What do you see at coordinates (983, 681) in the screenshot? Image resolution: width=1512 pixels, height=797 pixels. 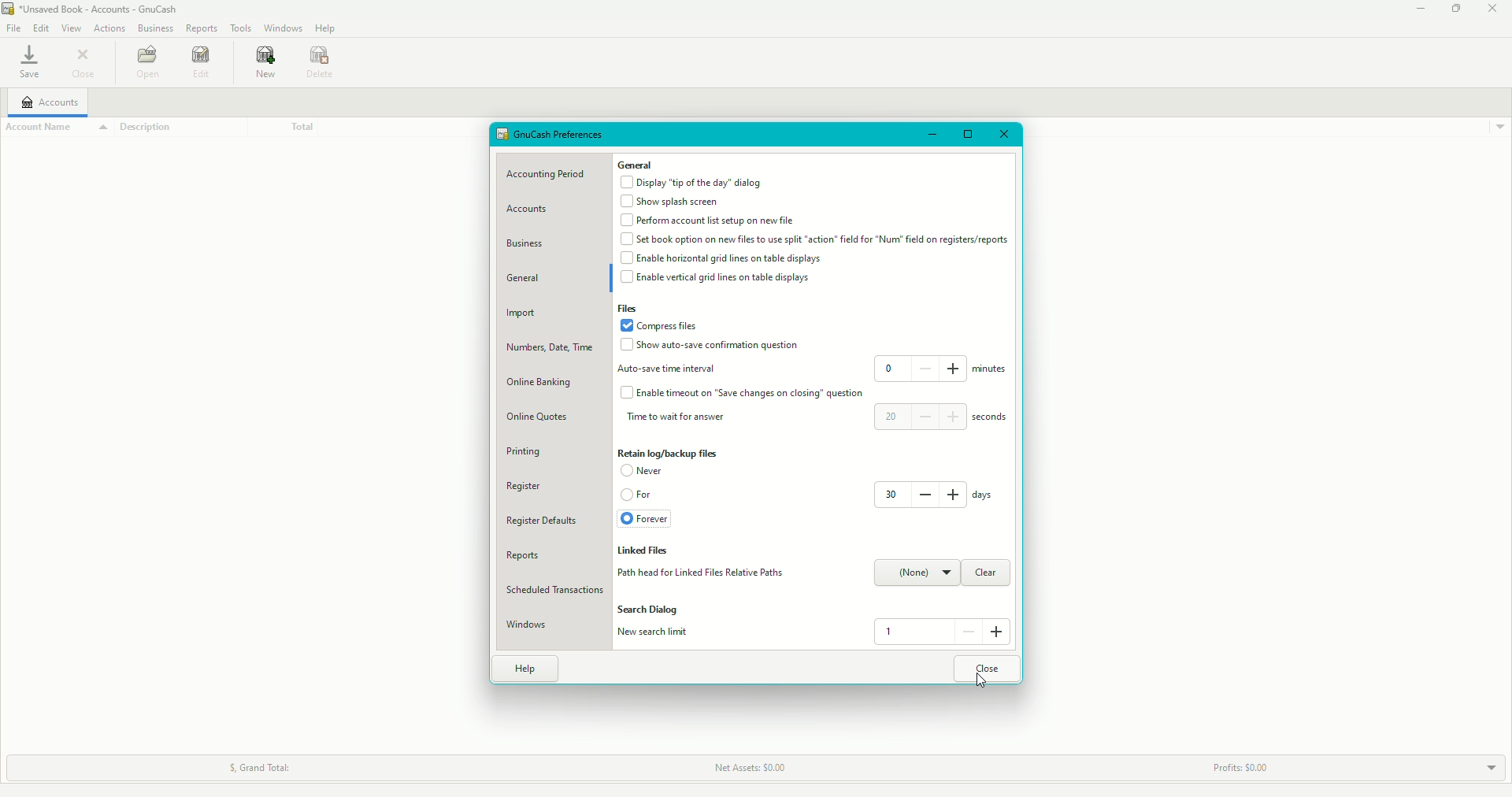 I see `Cursor` at bounding box center [983, 681].